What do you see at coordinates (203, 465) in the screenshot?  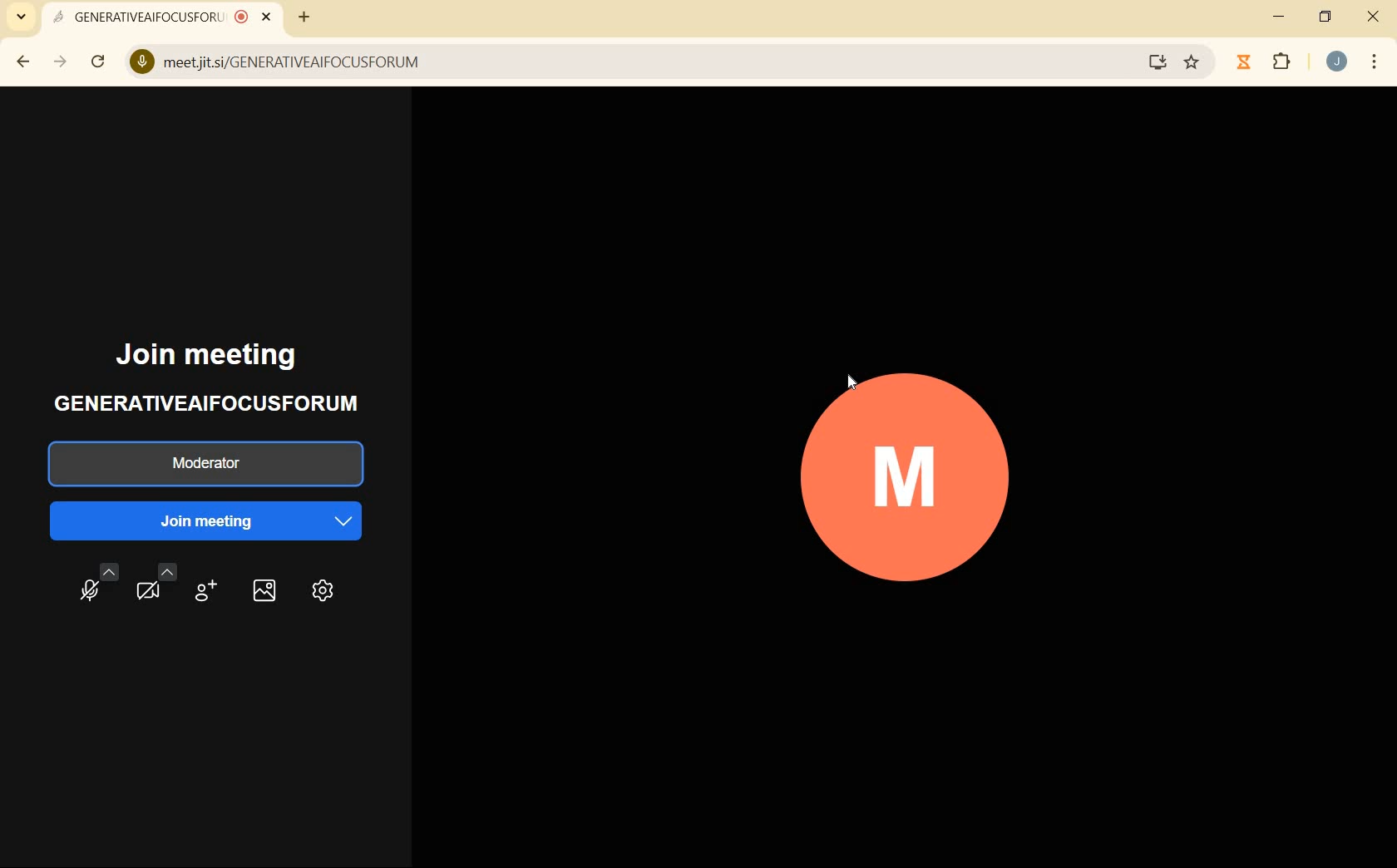 I see `Moderator` at bounding box center [203, 465].